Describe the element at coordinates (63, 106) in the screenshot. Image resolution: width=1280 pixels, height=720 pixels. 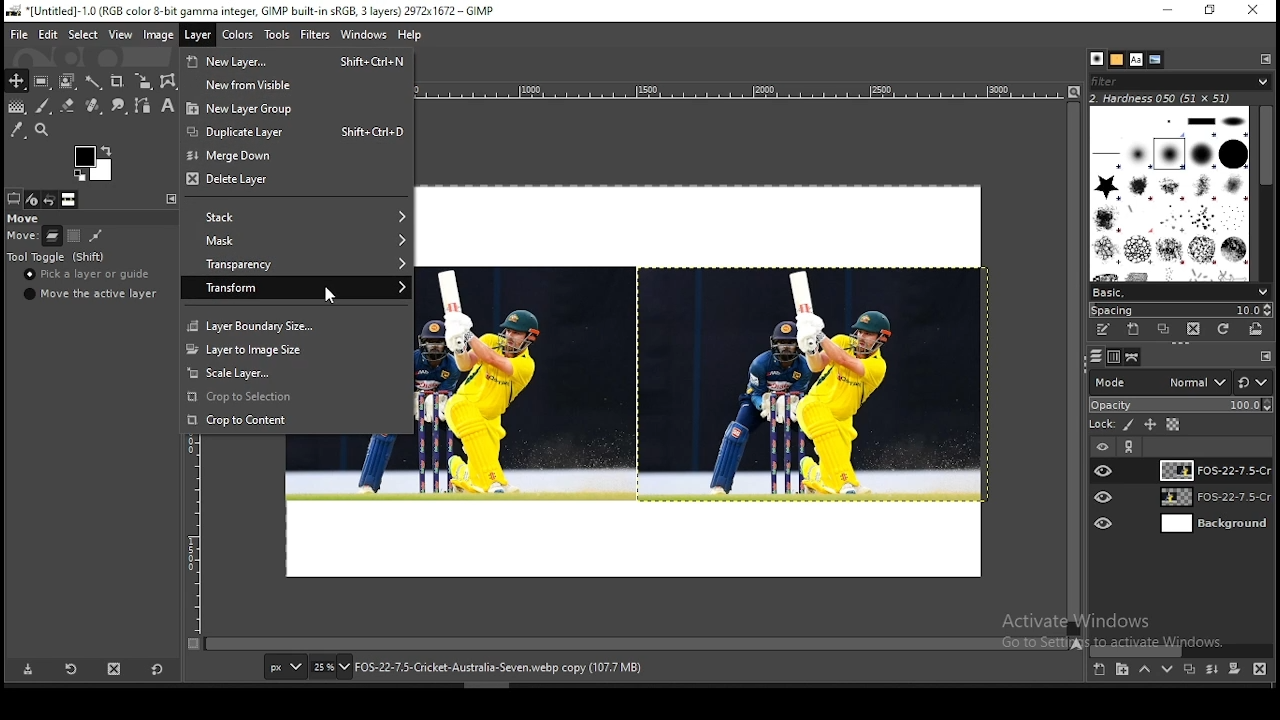
I see `eraser tool` at that location.